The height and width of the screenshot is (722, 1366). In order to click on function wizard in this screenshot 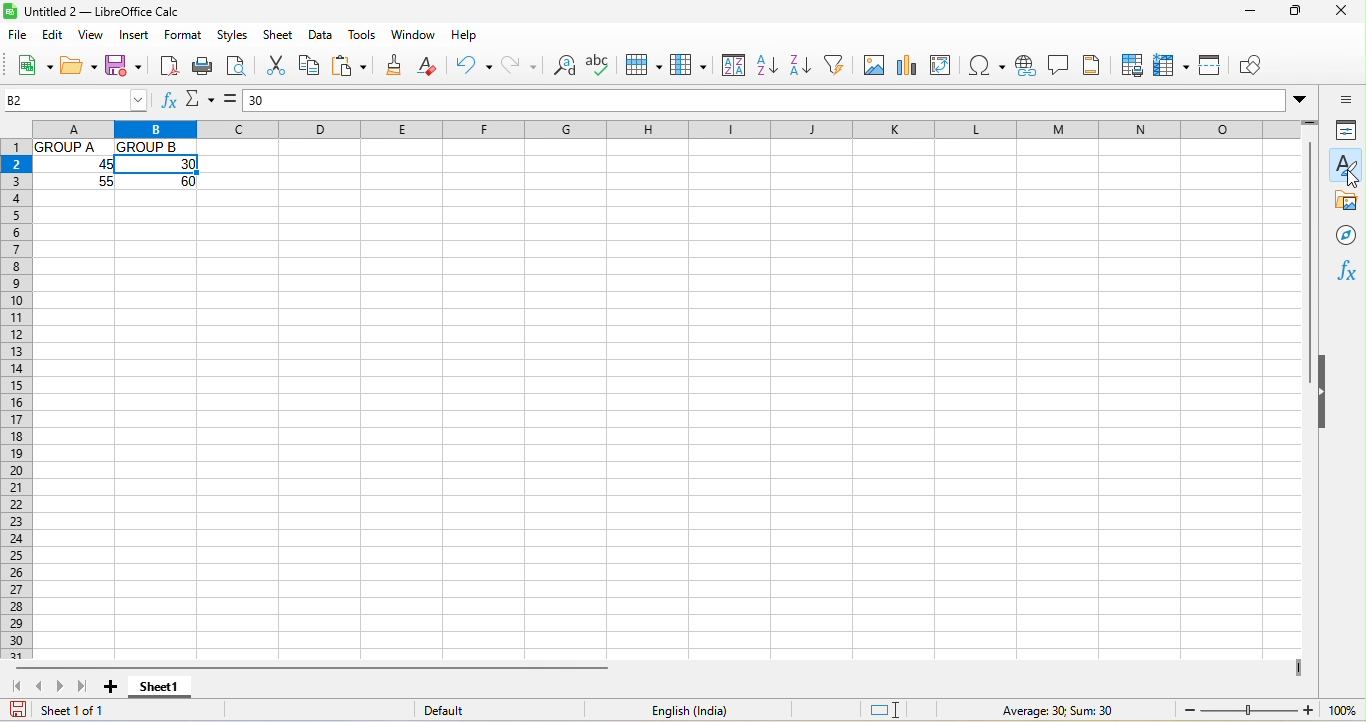, I will do `click(166, 103)`.